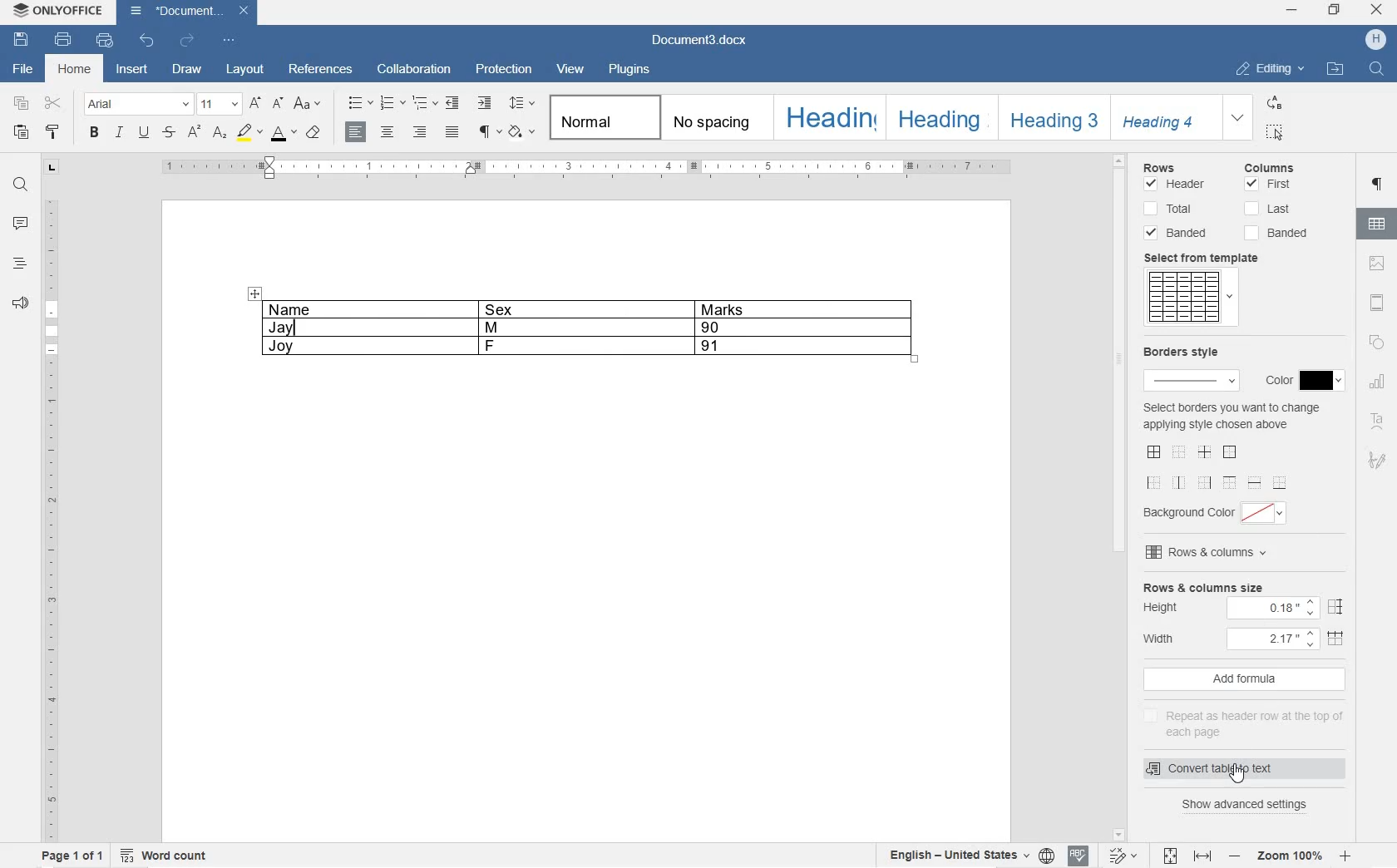 Image resolution: width=1397 pixels, height=868 pixels. Describe the element at coordinates (1052, 118) in the screenshot. I see `HEADING 3` at that location.